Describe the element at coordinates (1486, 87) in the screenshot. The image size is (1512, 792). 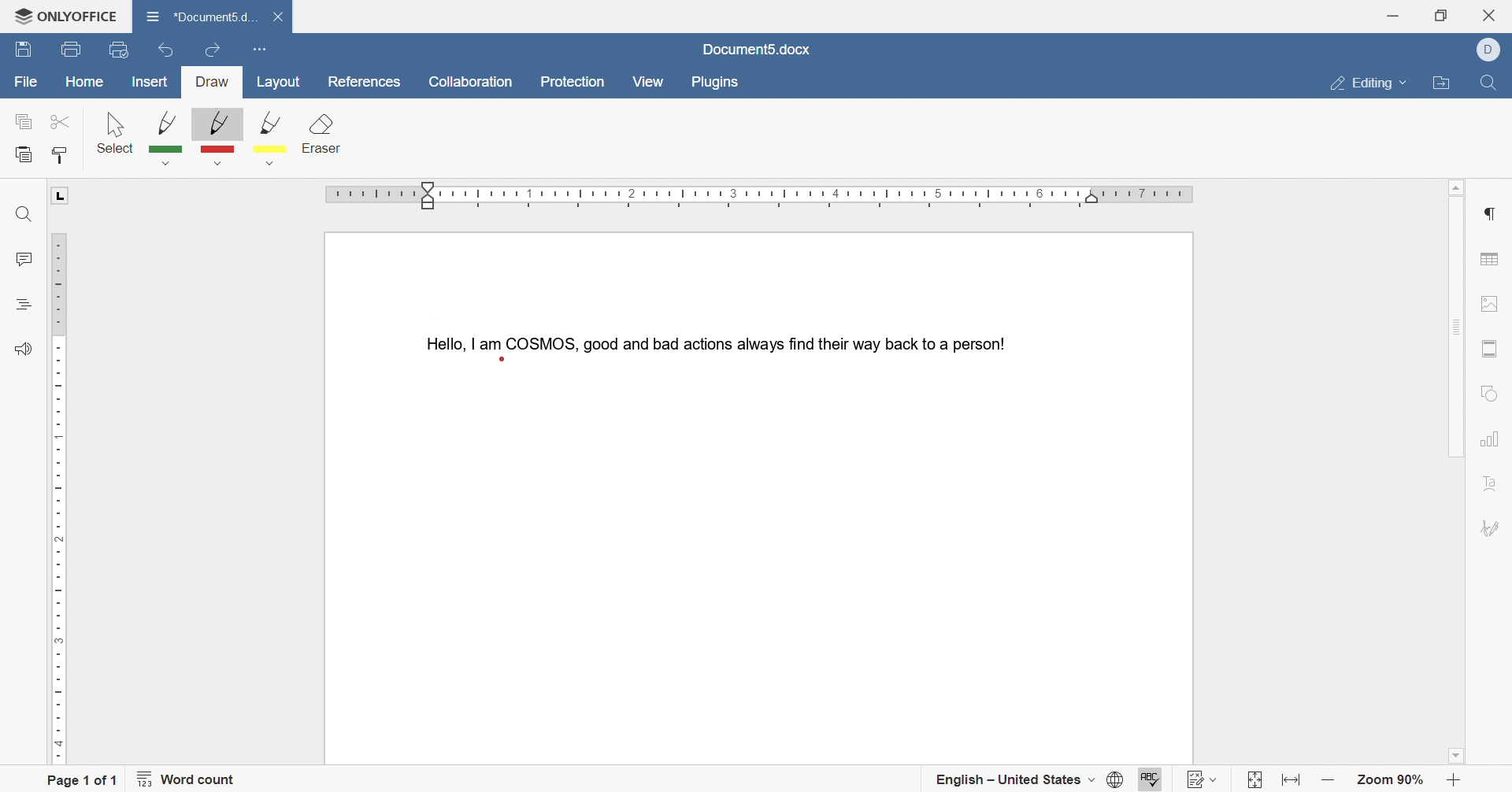
I see `find` at that location.